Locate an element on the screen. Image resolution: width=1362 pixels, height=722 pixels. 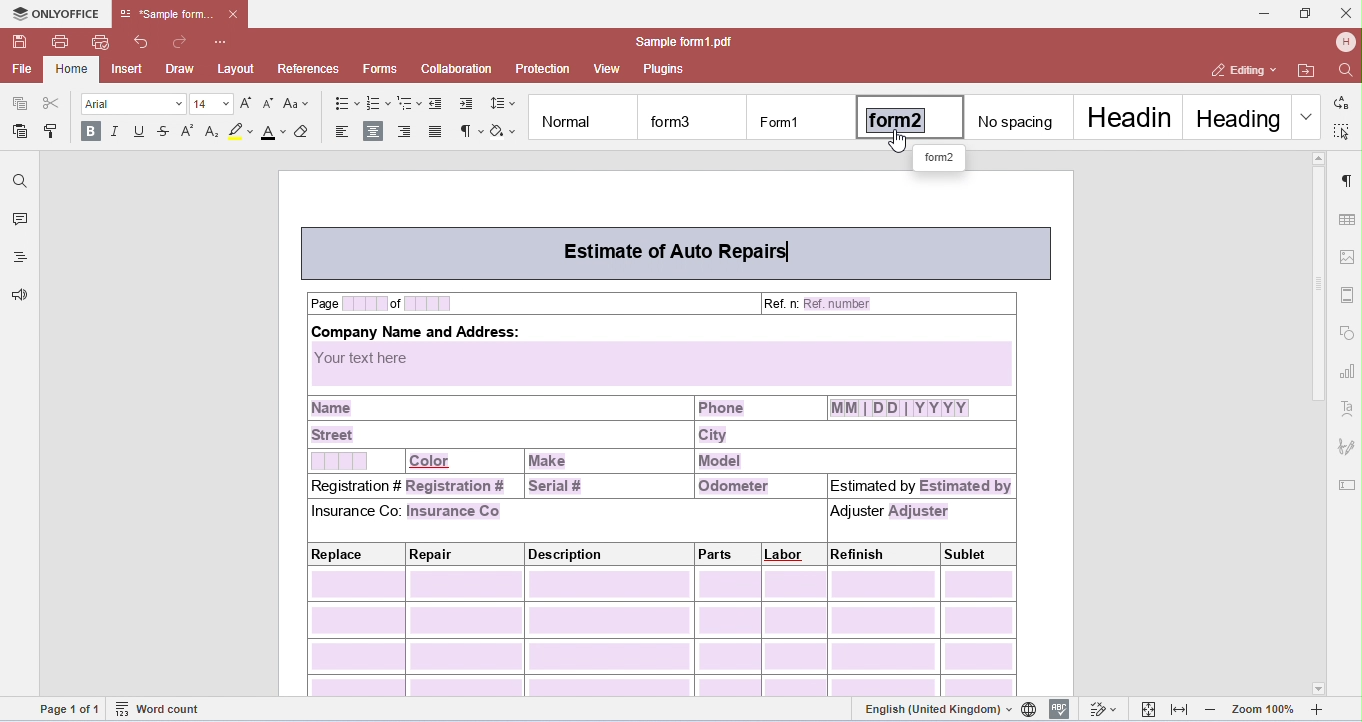
clear style is located at coordinates (308, 132).